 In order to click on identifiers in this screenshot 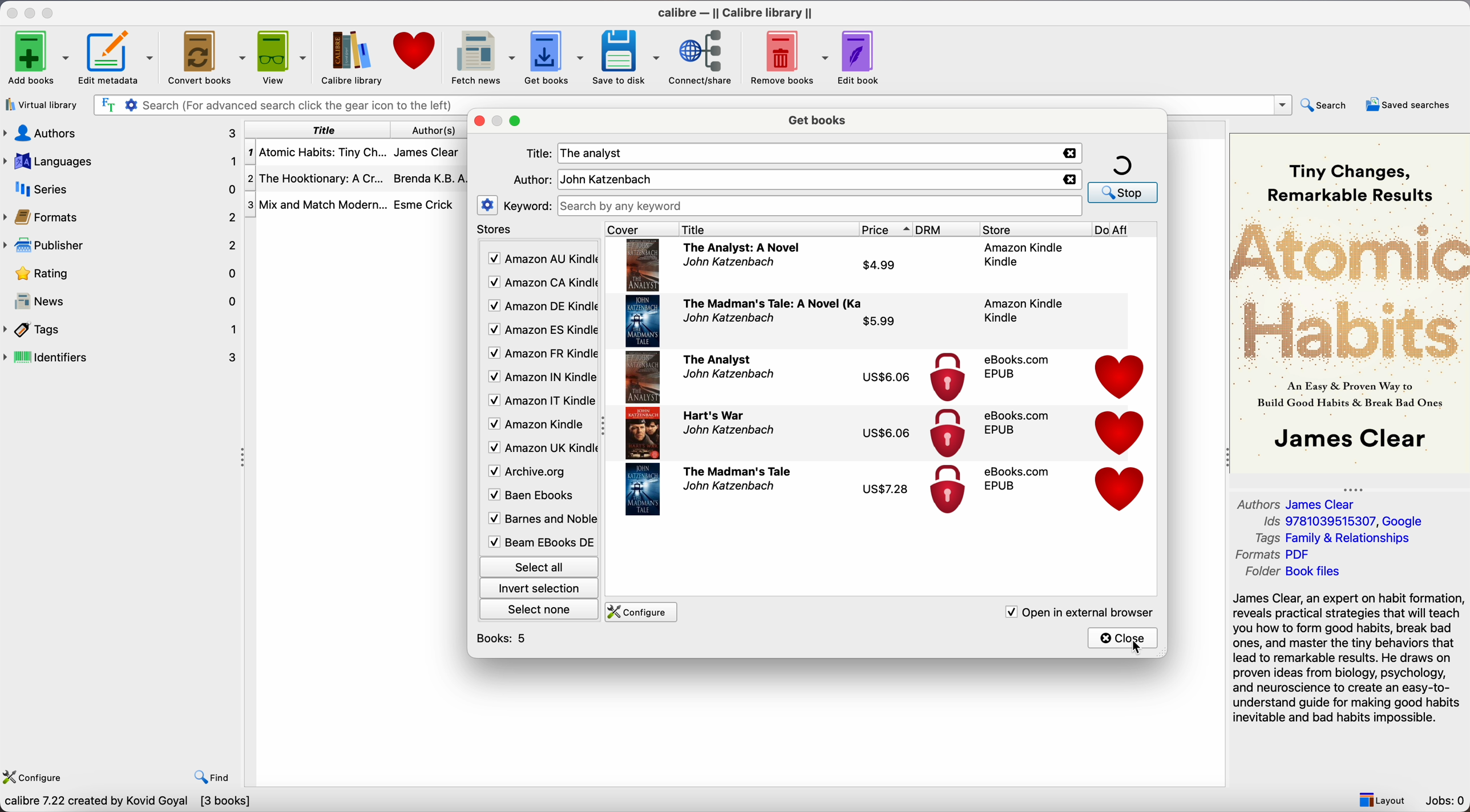, I will do `click(126, 356)`.